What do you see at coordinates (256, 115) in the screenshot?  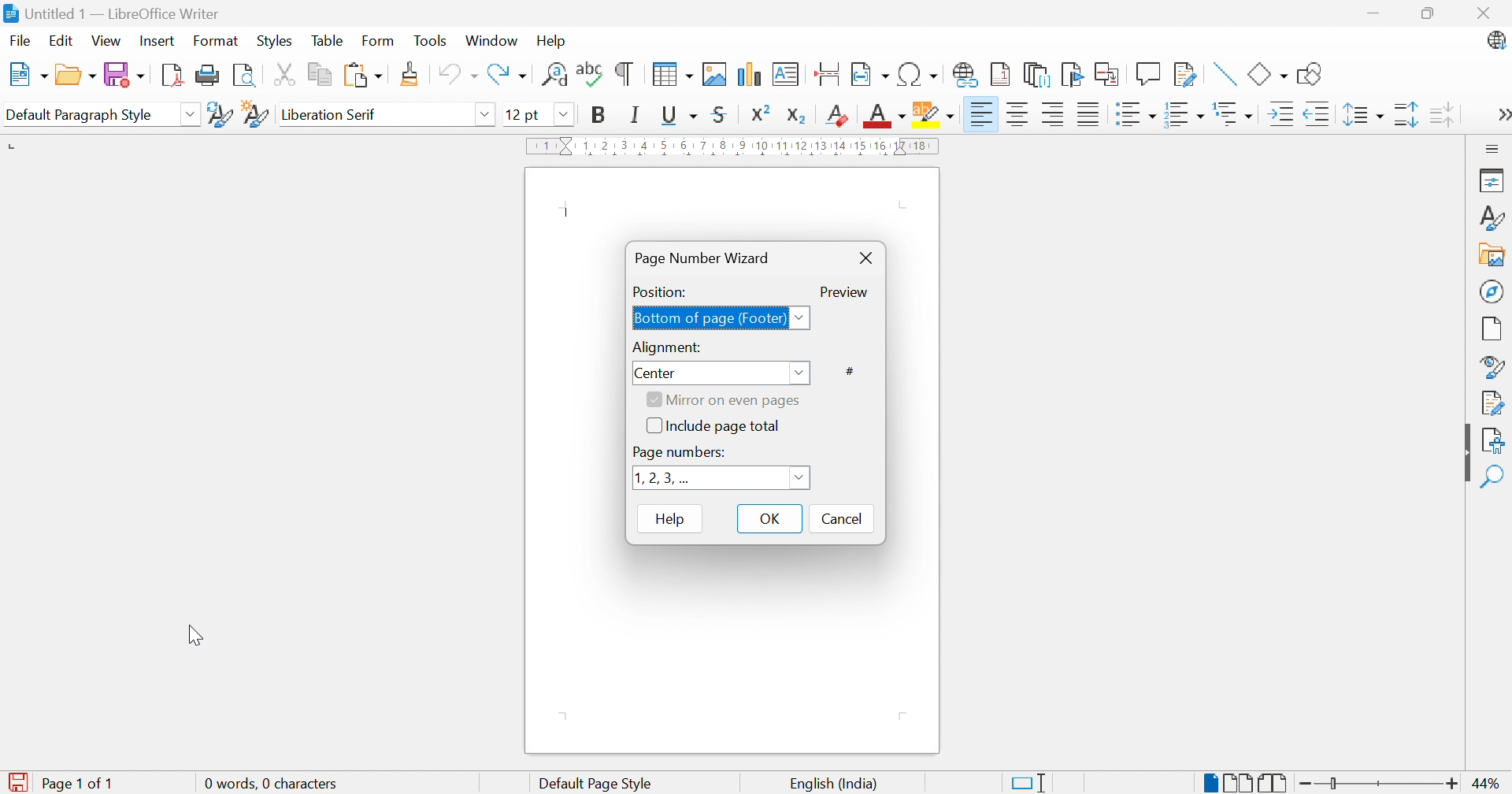 I see `New style from selection` at bounding box center [256, 115].